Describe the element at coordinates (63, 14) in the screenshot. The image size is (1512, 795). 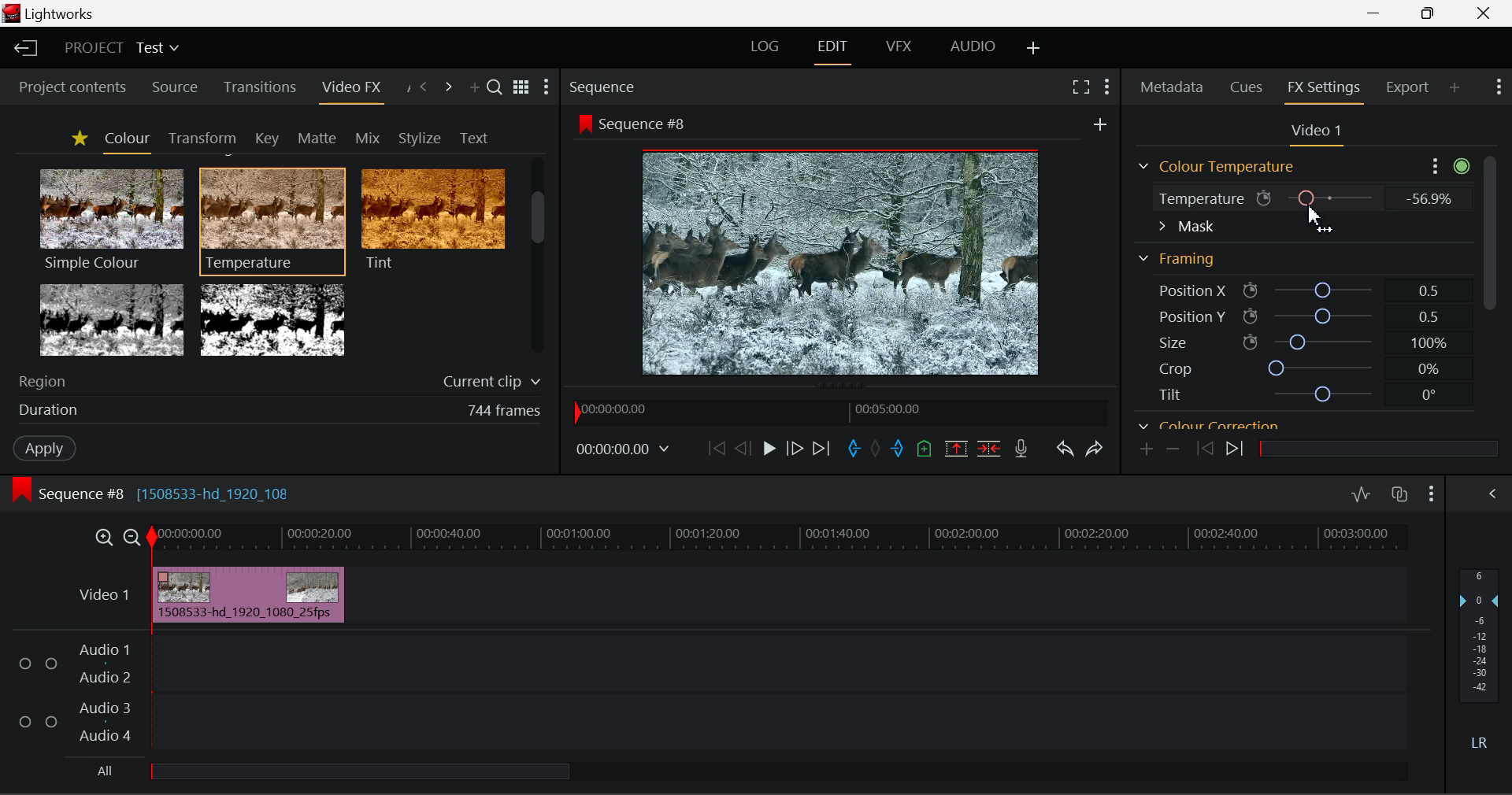
I see `Lightworks` at that location.